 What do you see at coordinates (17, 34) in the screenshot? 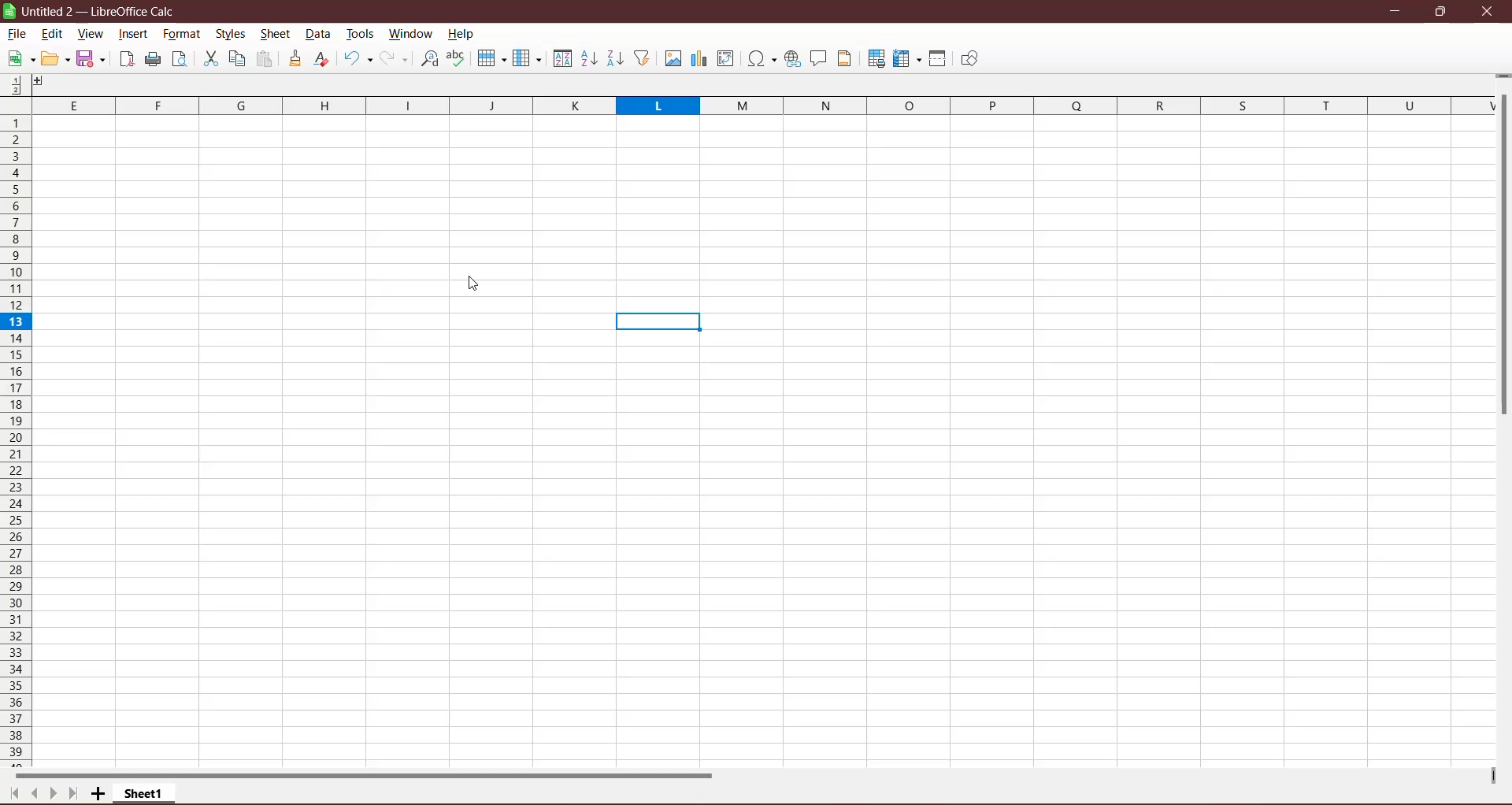
I see `File` at bounding box center [17, 34].